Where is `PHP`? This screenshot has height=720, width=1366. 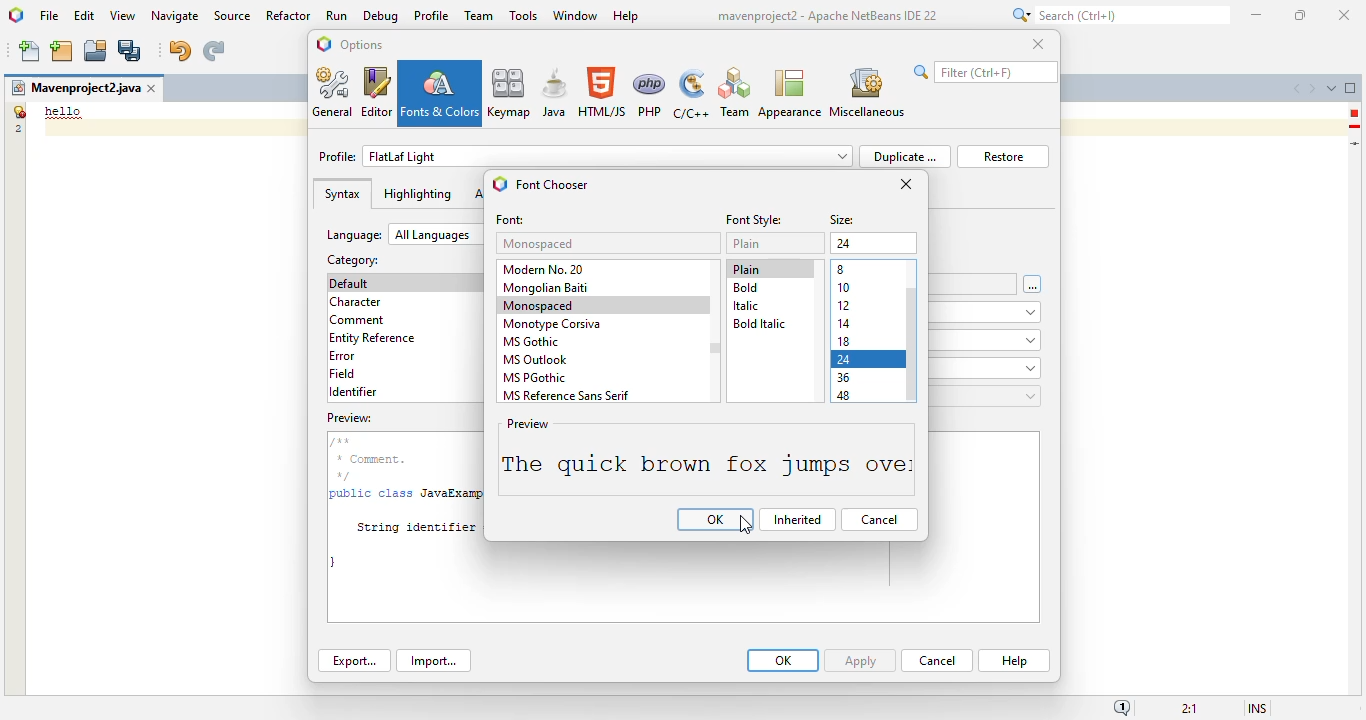 PHP is located at coordinates (650, 94).